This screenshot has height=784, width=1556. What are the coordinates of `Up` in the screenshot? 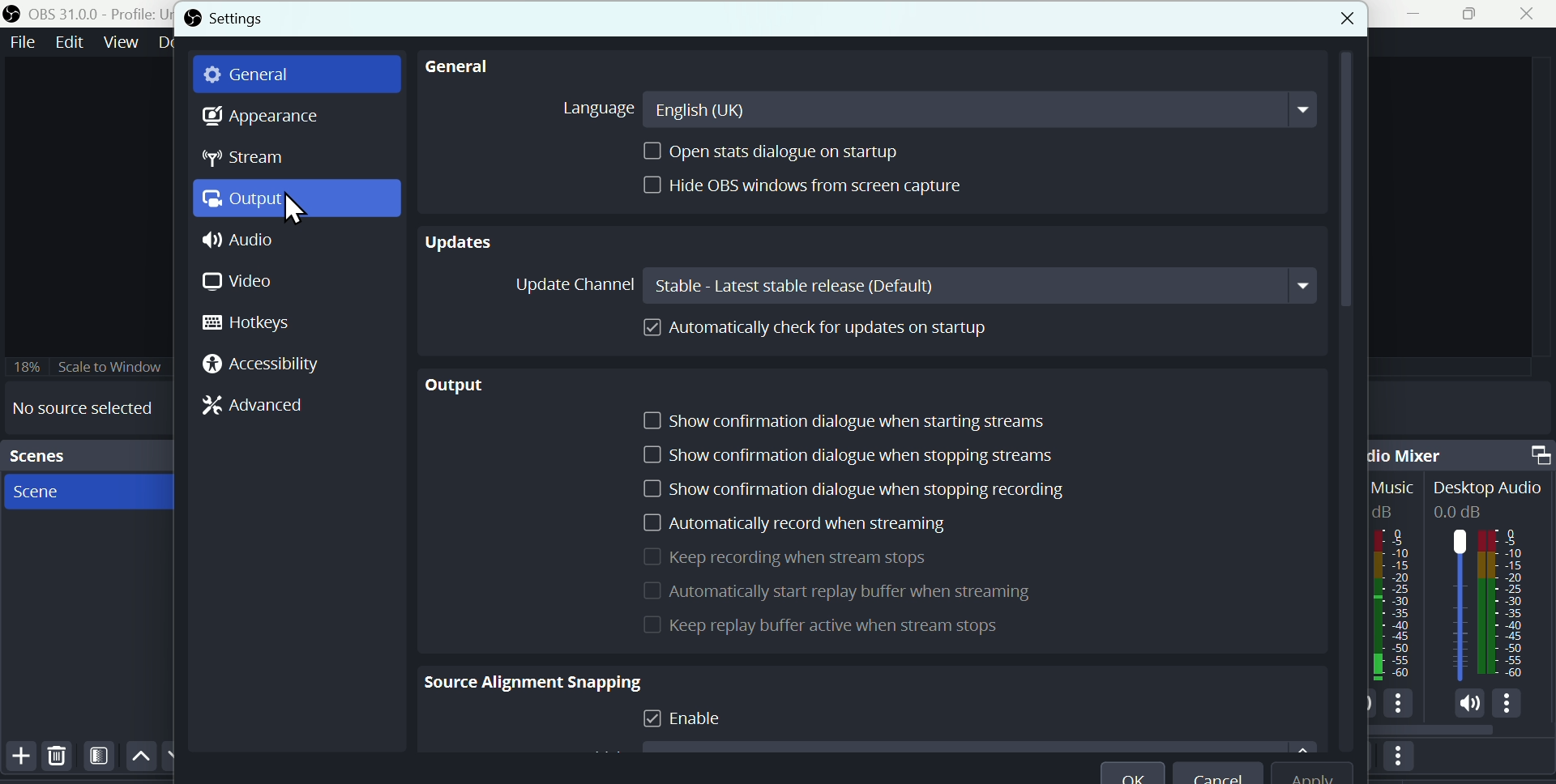 It's located at (143, 761).